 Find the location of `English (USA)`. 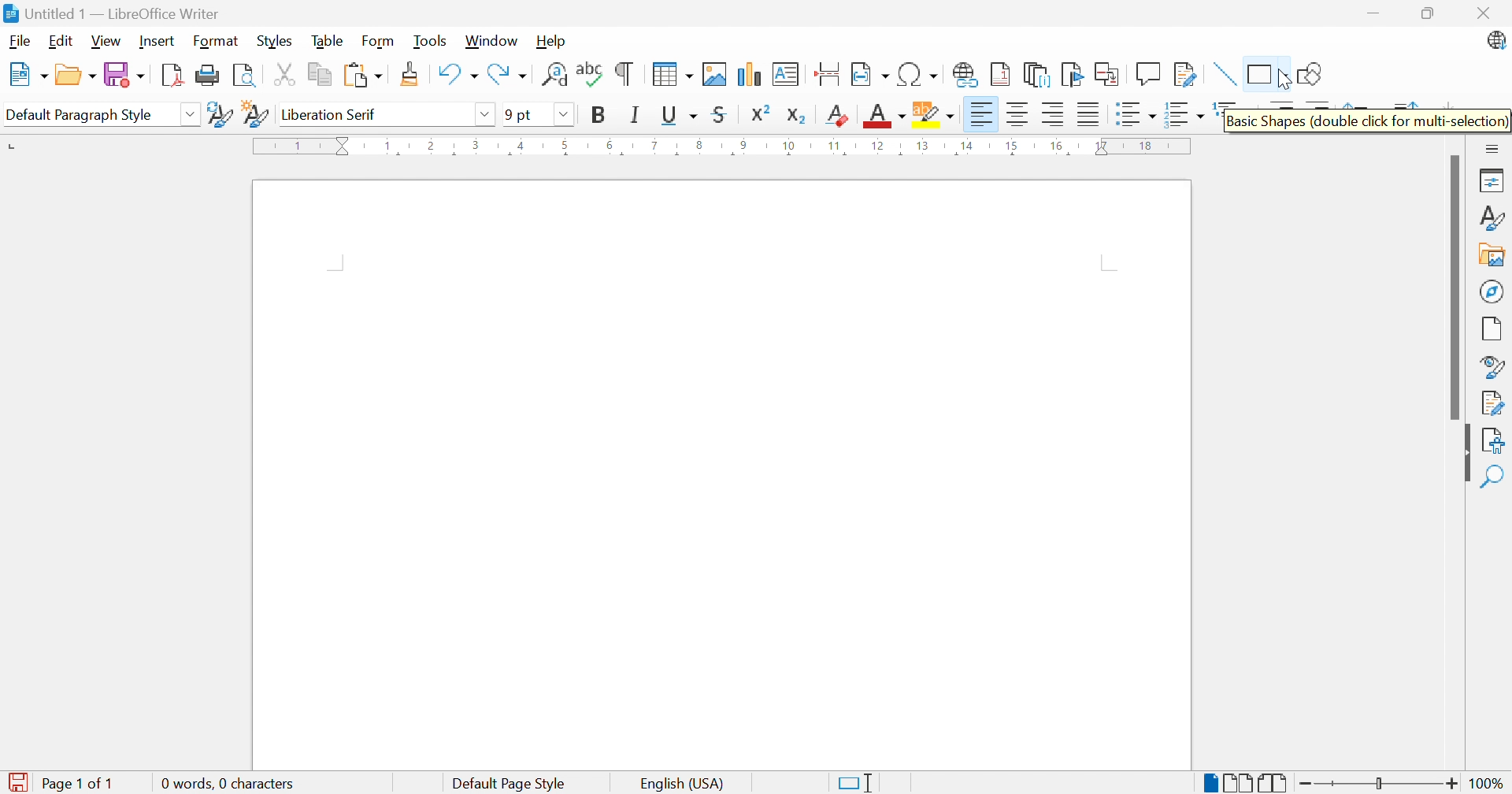

English (USA) is located at coordinates (683, 783).